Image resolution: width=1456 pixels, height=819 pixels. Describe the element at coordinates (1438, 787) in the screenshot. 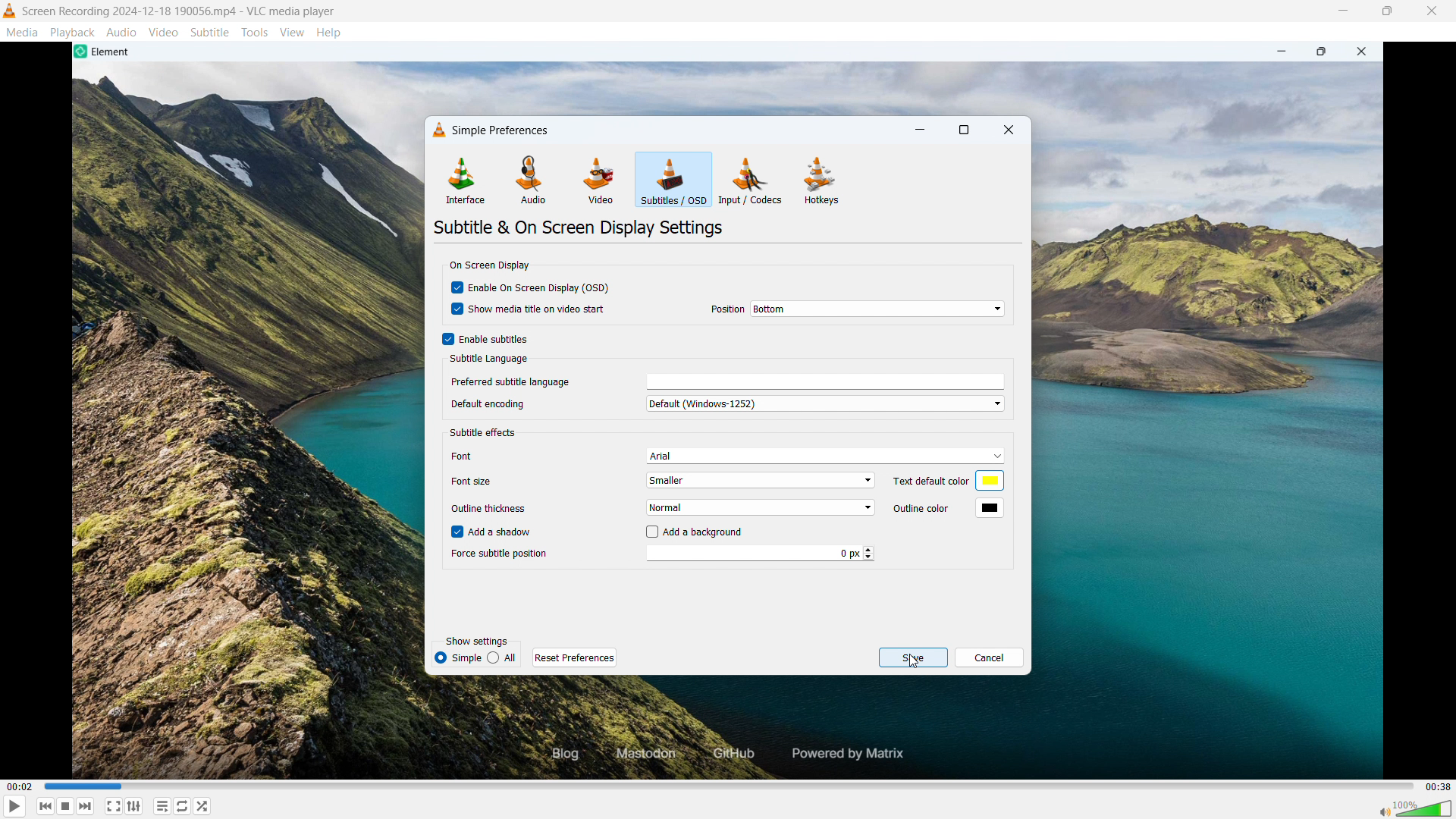

I see `Video duration ` at that location.